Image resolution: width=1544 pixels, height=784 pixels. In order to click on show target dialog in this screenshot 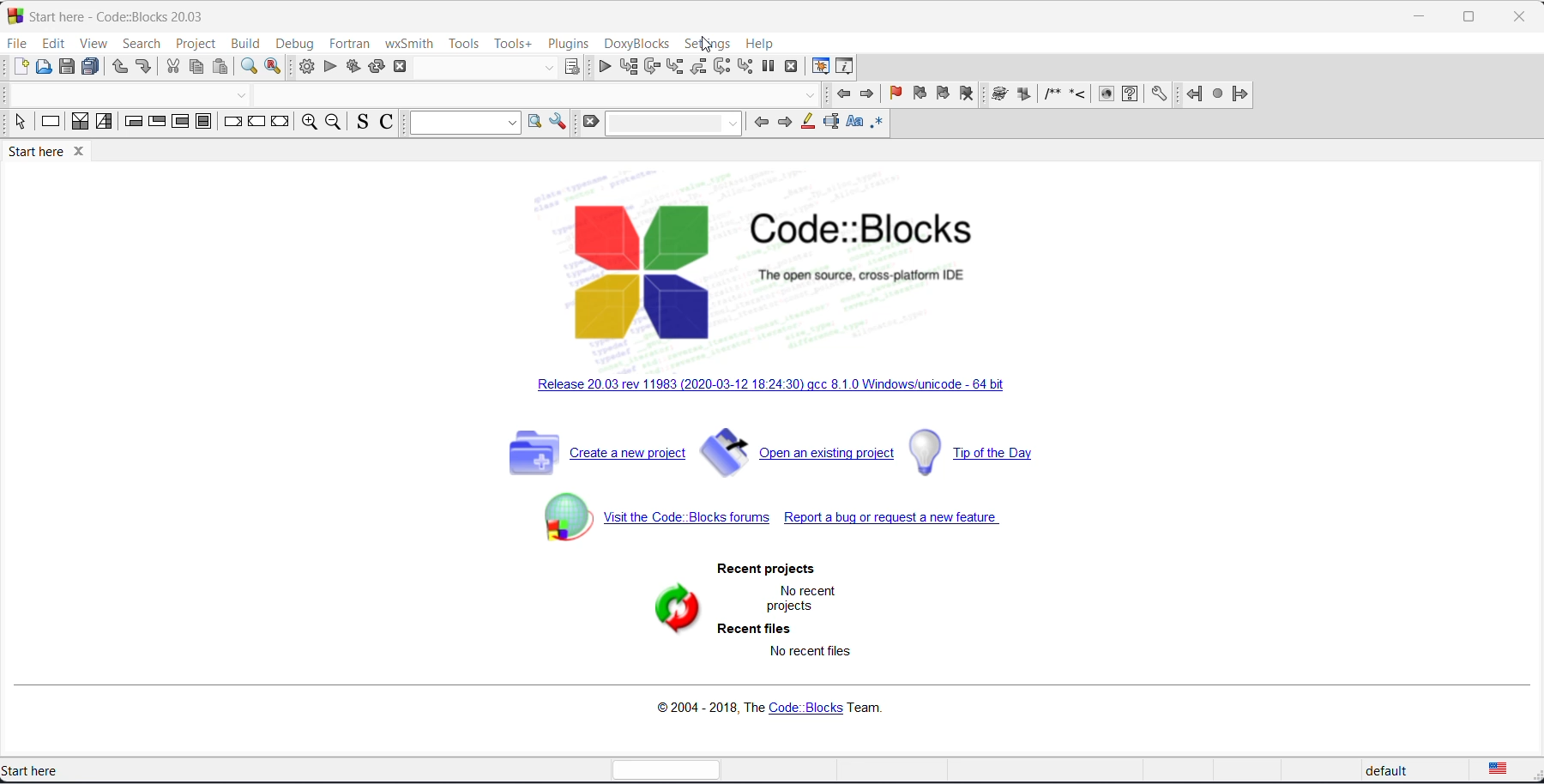, I will do `click(573, 67)`.